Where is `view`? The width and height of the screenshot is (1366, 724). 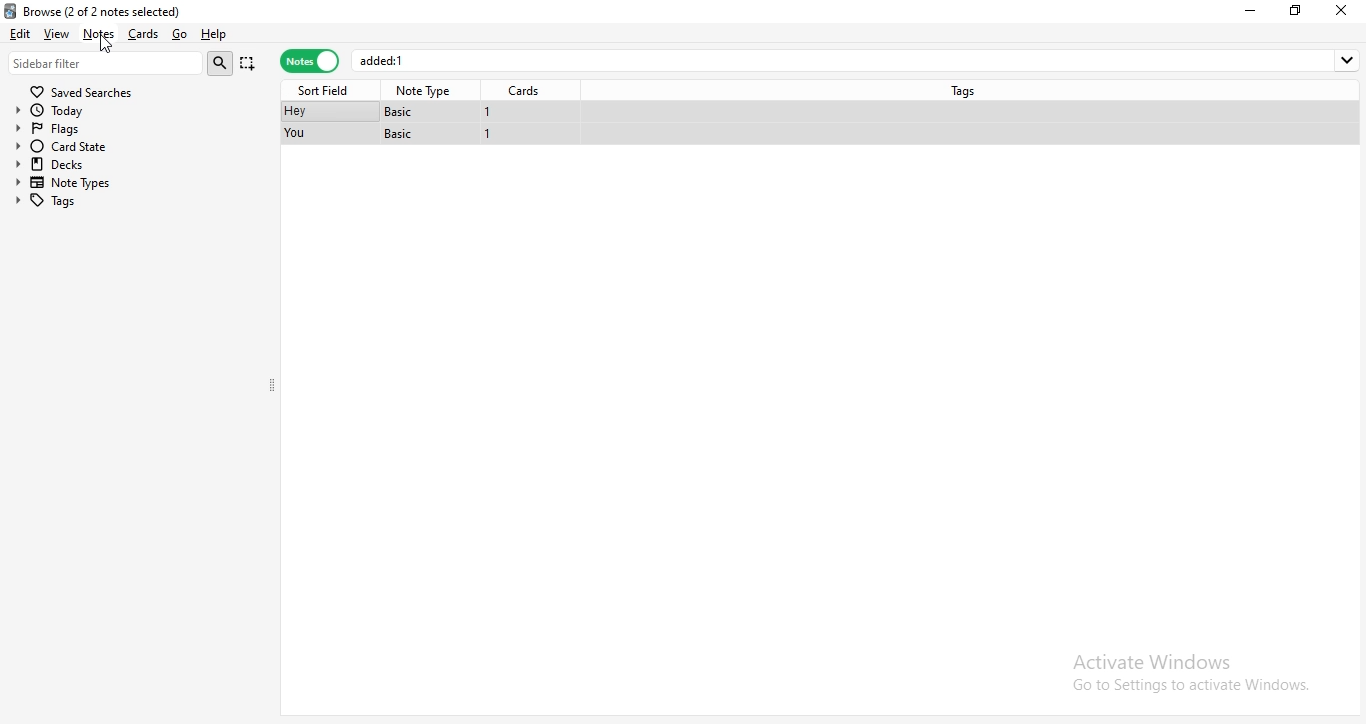
view is located at coordinates (58, 33).